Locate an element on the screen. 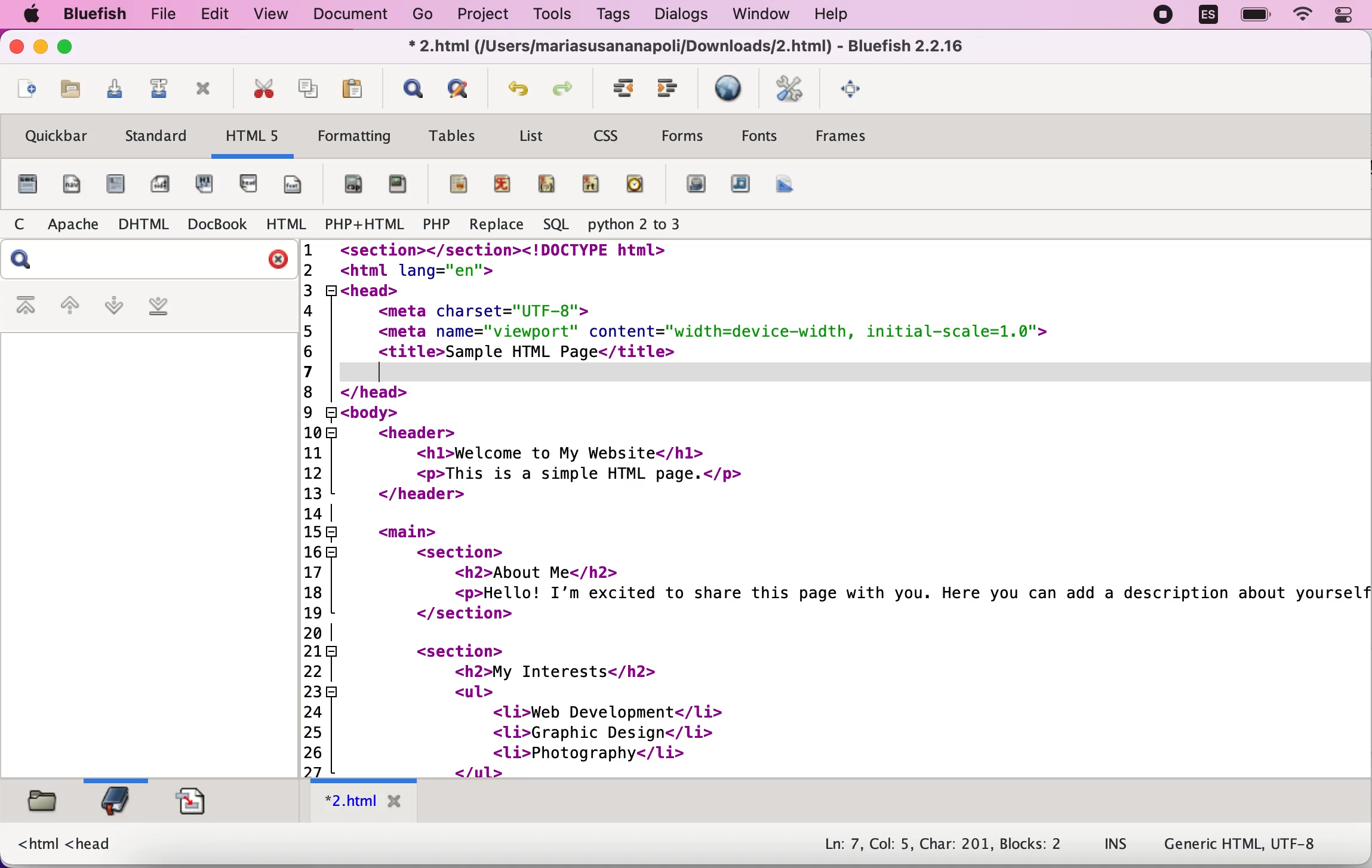 This screenshot has height=868, width=1372. new file is located at coordinates (24, 93).